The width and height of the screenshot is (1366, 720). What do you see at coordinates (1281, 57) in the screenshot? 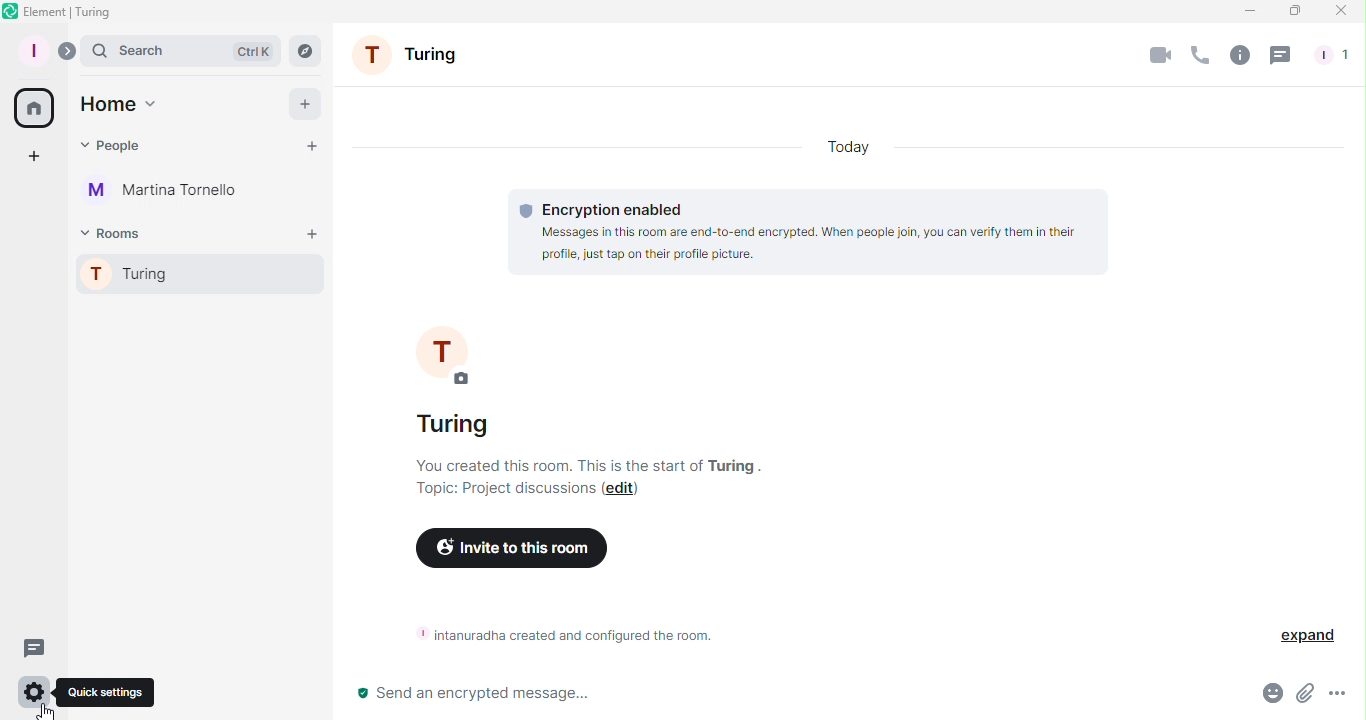
I see `Threads` at bounding box center [1281, 57].